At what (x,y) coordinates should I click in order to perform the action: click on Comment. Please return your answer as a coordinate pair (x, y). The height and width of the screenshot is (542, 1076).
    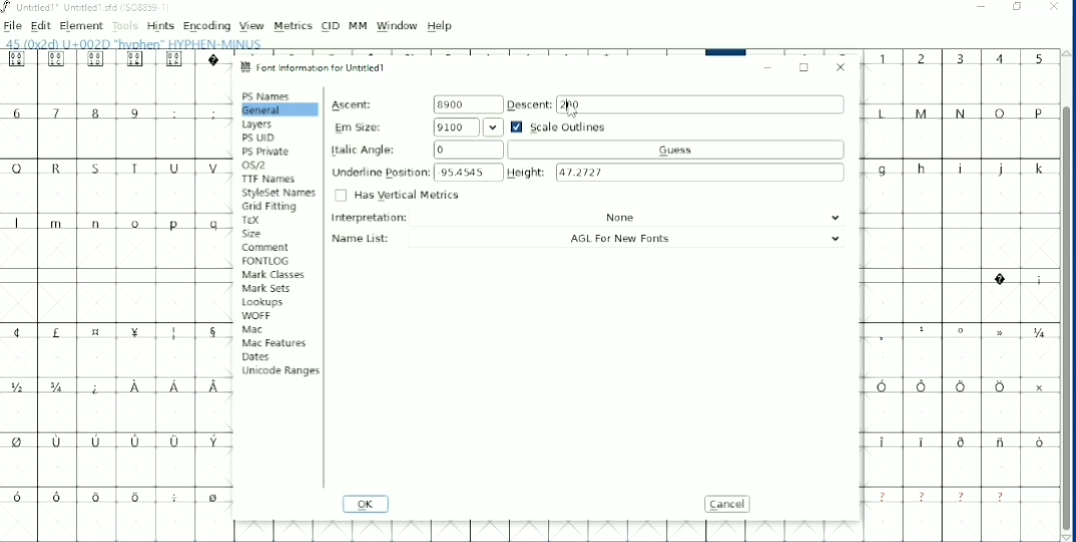
    Looking at the image, I should click on (265, 247).